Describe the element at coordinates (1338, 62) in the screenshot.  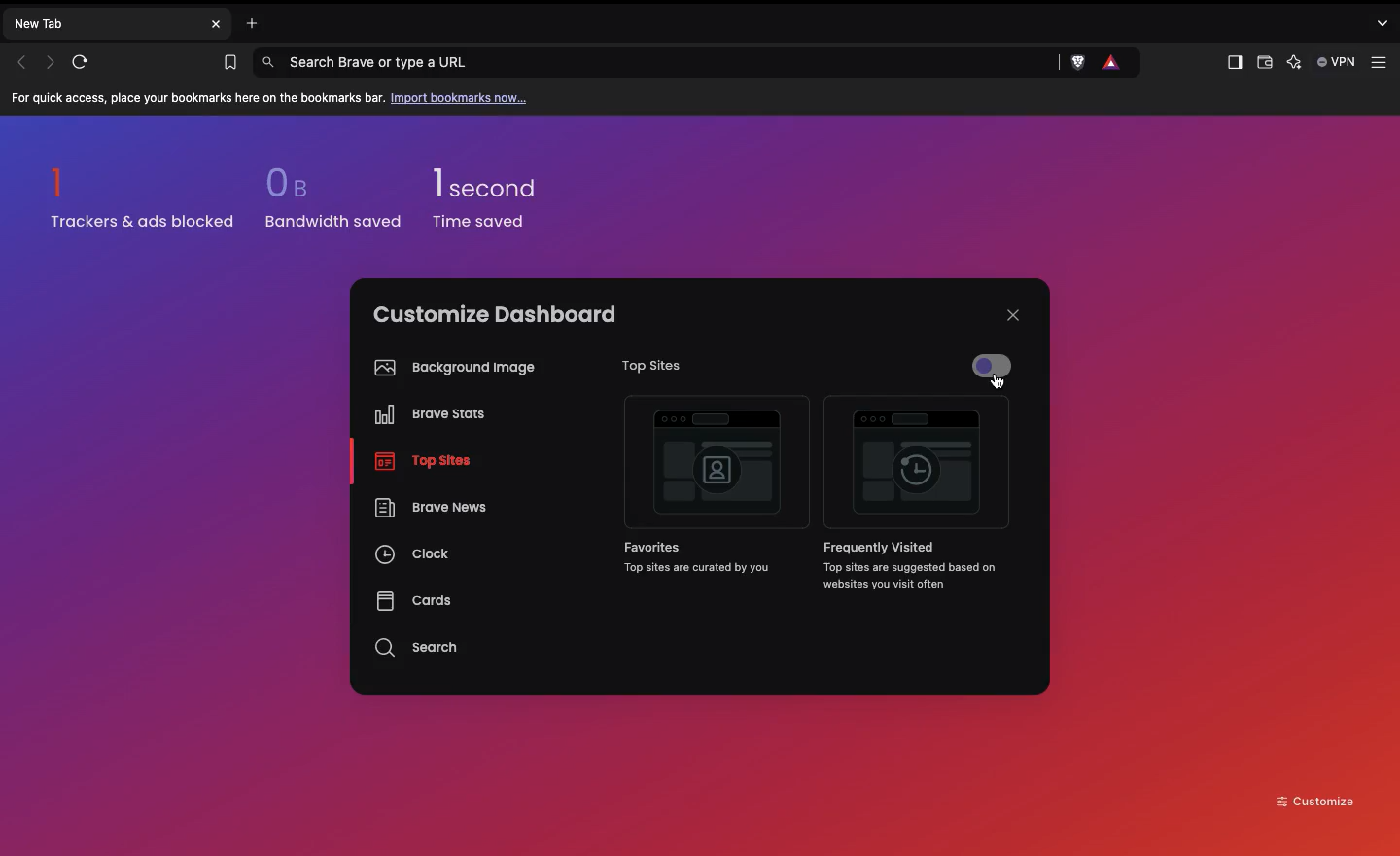
I see `VPN` at that location.